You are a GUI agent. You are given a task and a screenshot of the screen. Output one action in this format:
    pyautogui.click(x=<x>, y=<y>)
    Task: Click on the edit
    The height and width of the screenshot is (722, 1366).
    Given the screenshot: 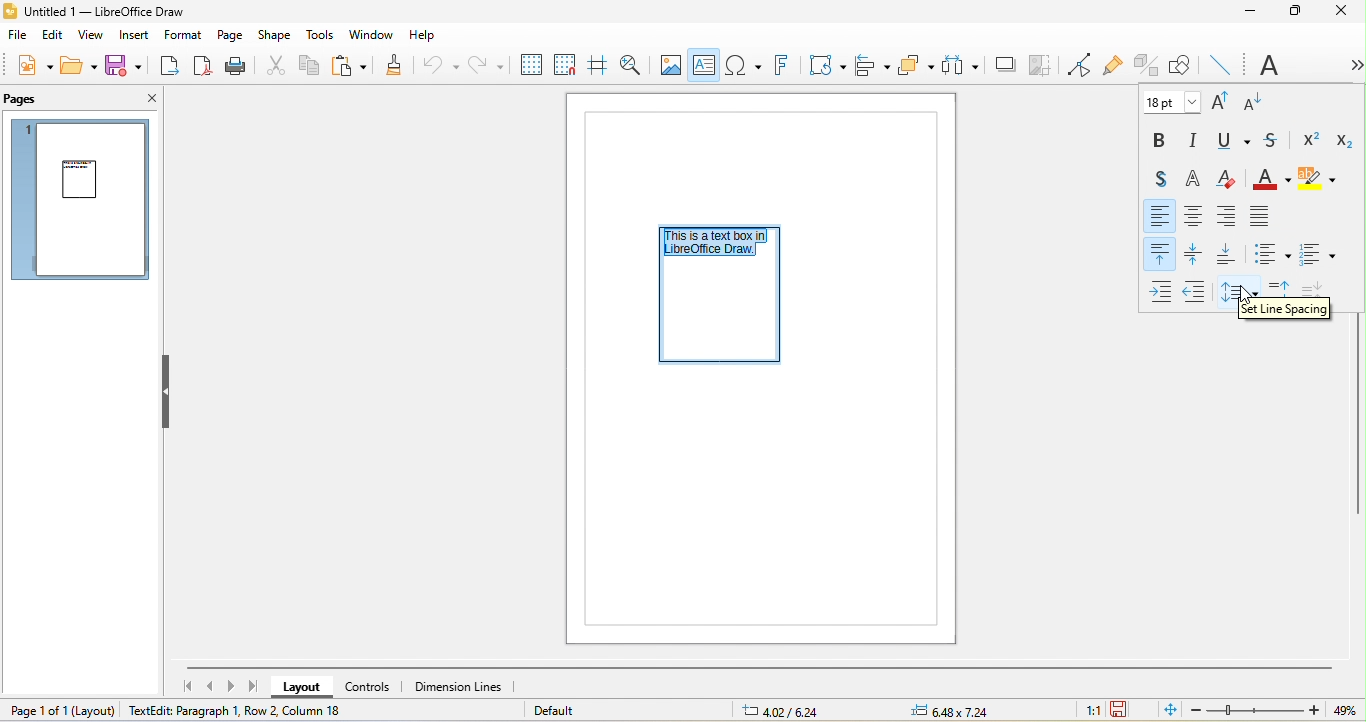 What is the action you would take?
    pyautogui.click(x=53, y=36)
    